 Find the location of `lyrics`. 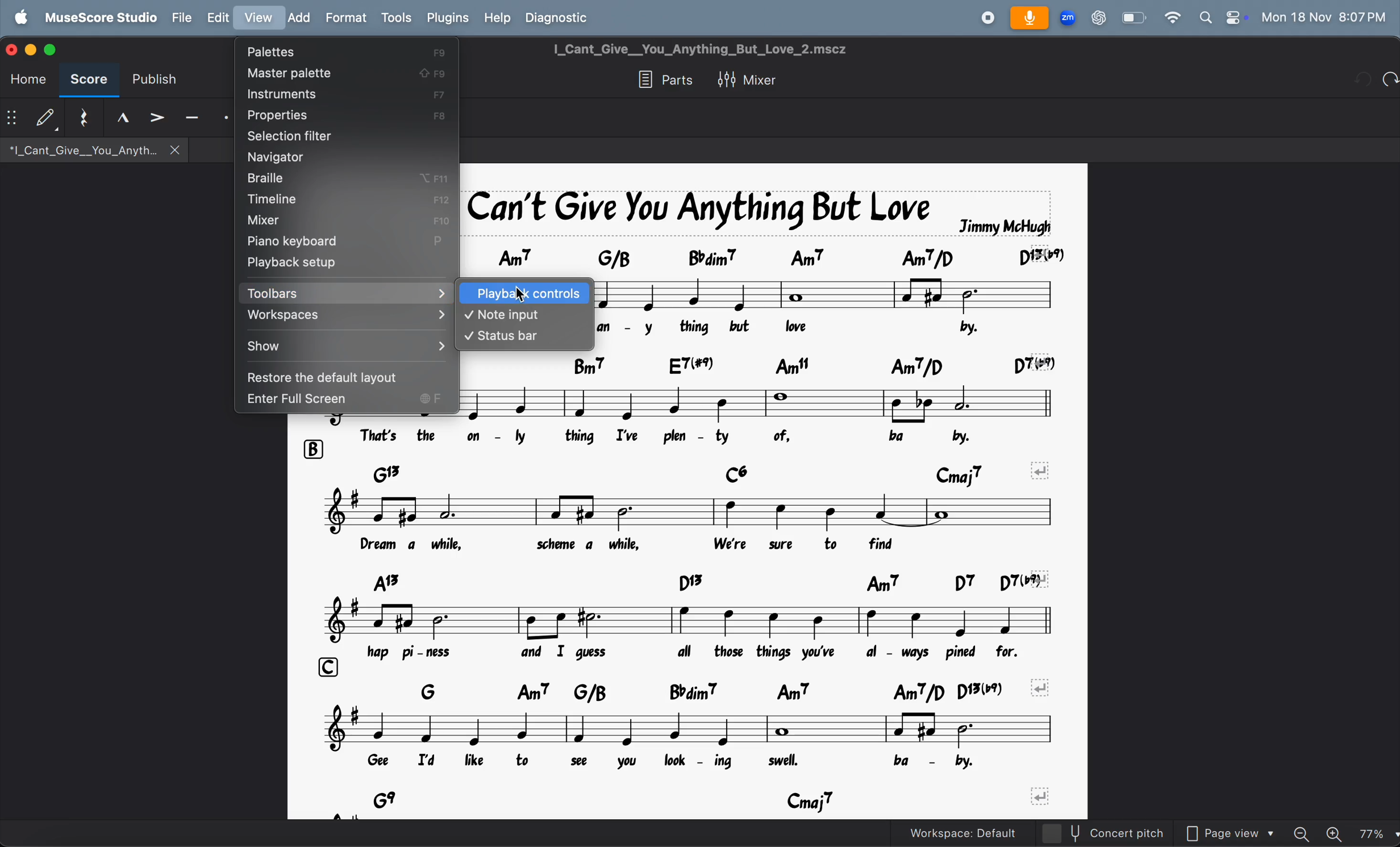

lyrics is located at coordinates (797, 328).